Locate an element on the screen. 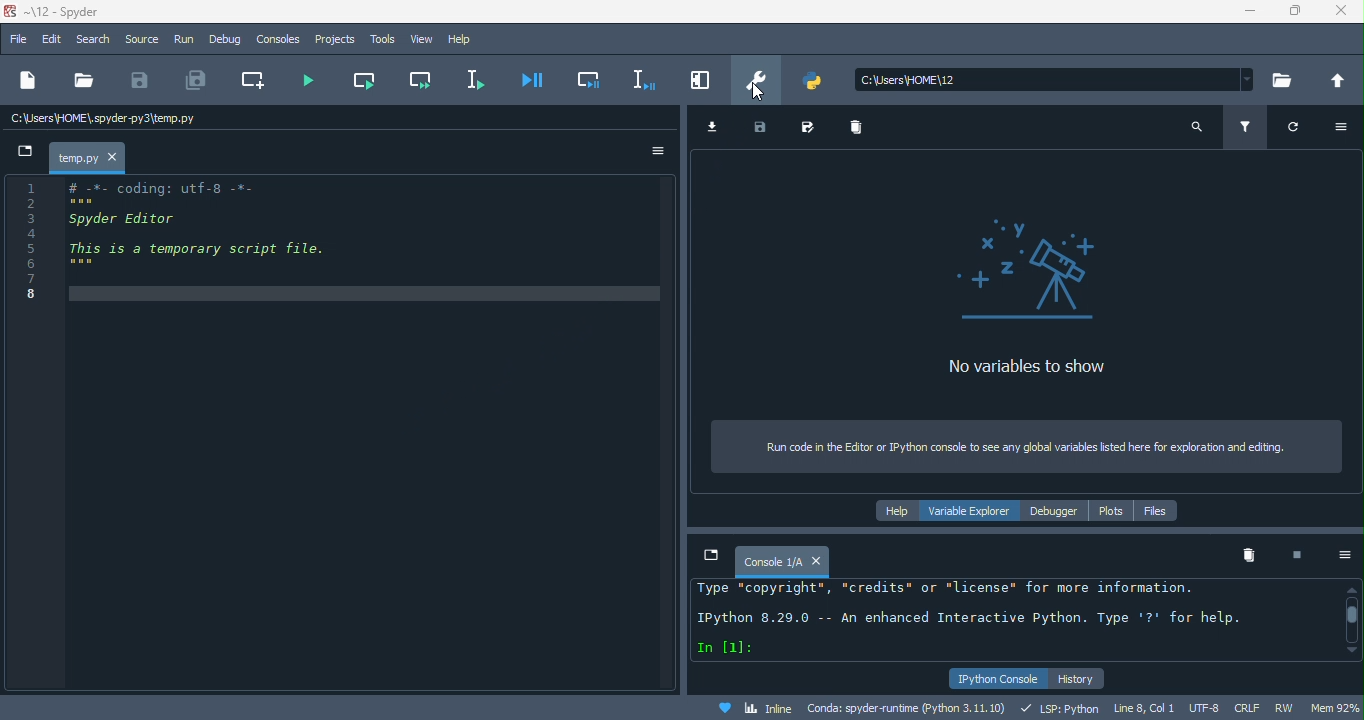  search is located at coordinates (92, 41).